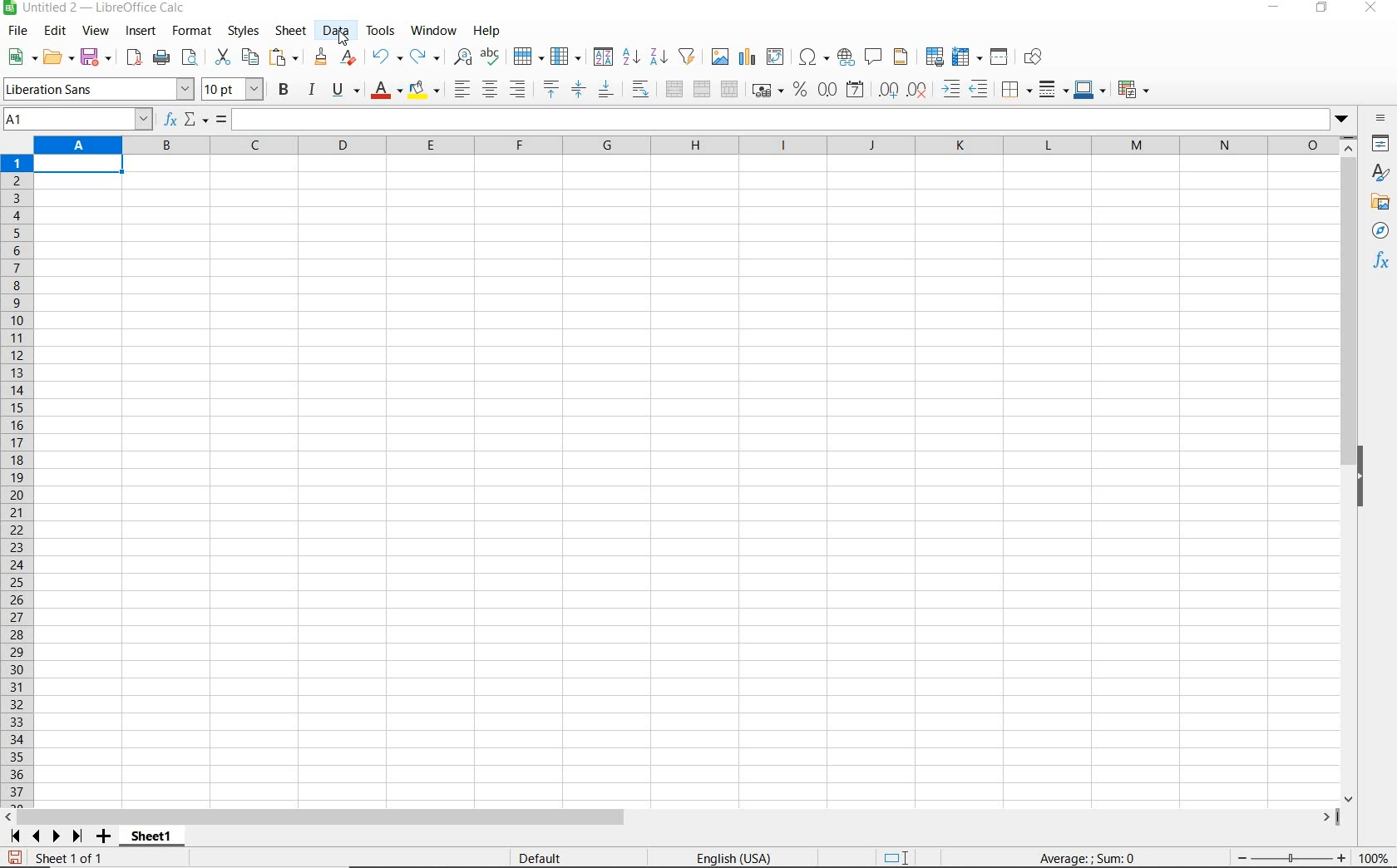 The height and width of the screenshot is (868, 1397). What do you see at coordinates (56, 33) in the screenshot?
I see `edit` at bounding box center [56, 33].